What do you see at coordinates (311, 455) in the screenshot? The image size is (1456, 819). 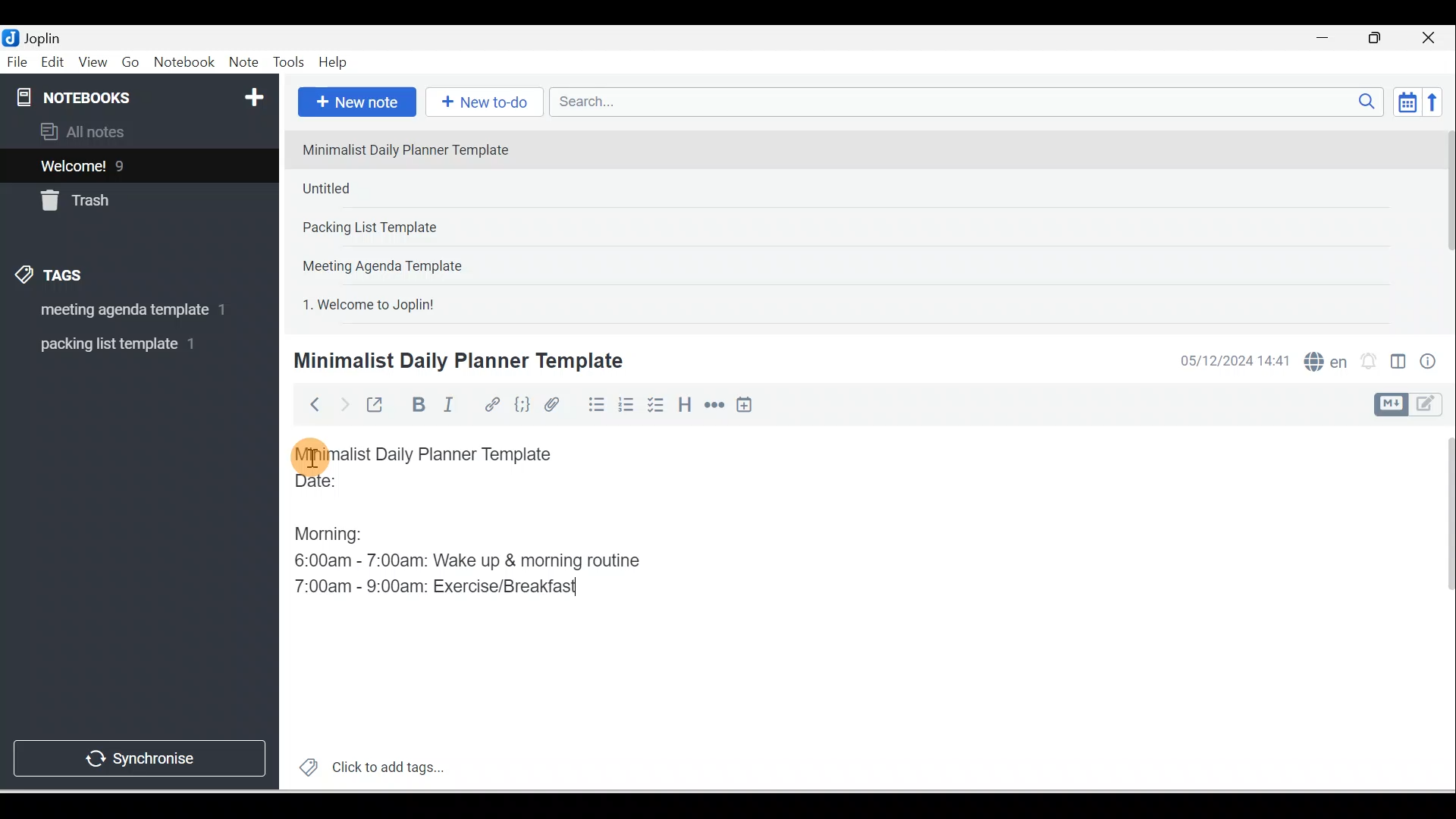 I see `Cursor` at bounding box center [311, 455].